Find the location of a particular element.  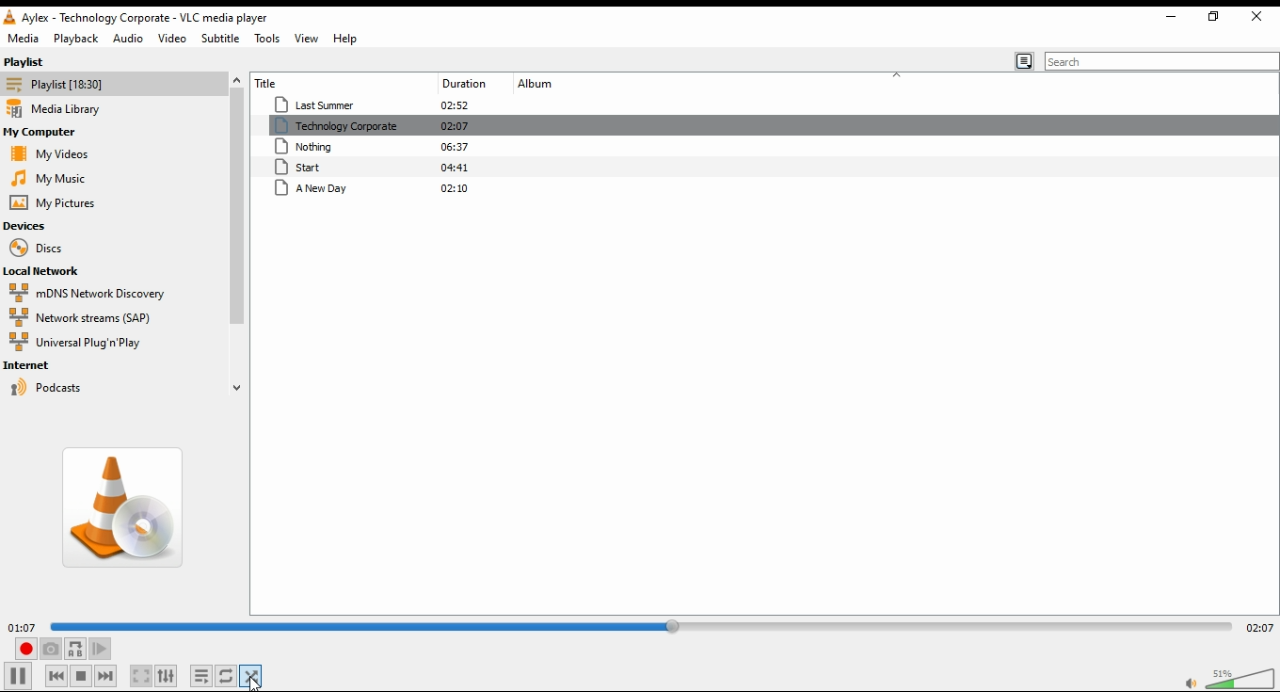

my computer is located at coordinates (46, 133).